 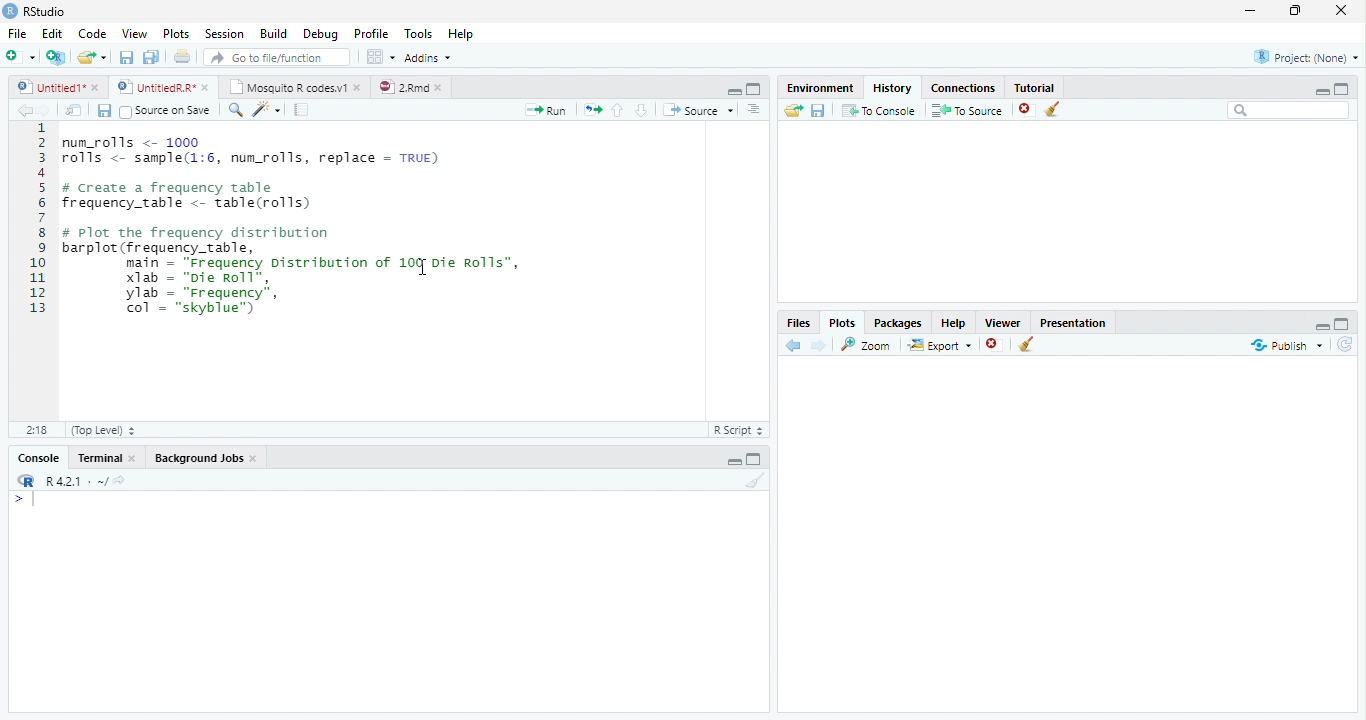 What do you see at coordinates (1344, 324) in the screenshot?
I see `Full Height` at bounding box center [1344, 324].